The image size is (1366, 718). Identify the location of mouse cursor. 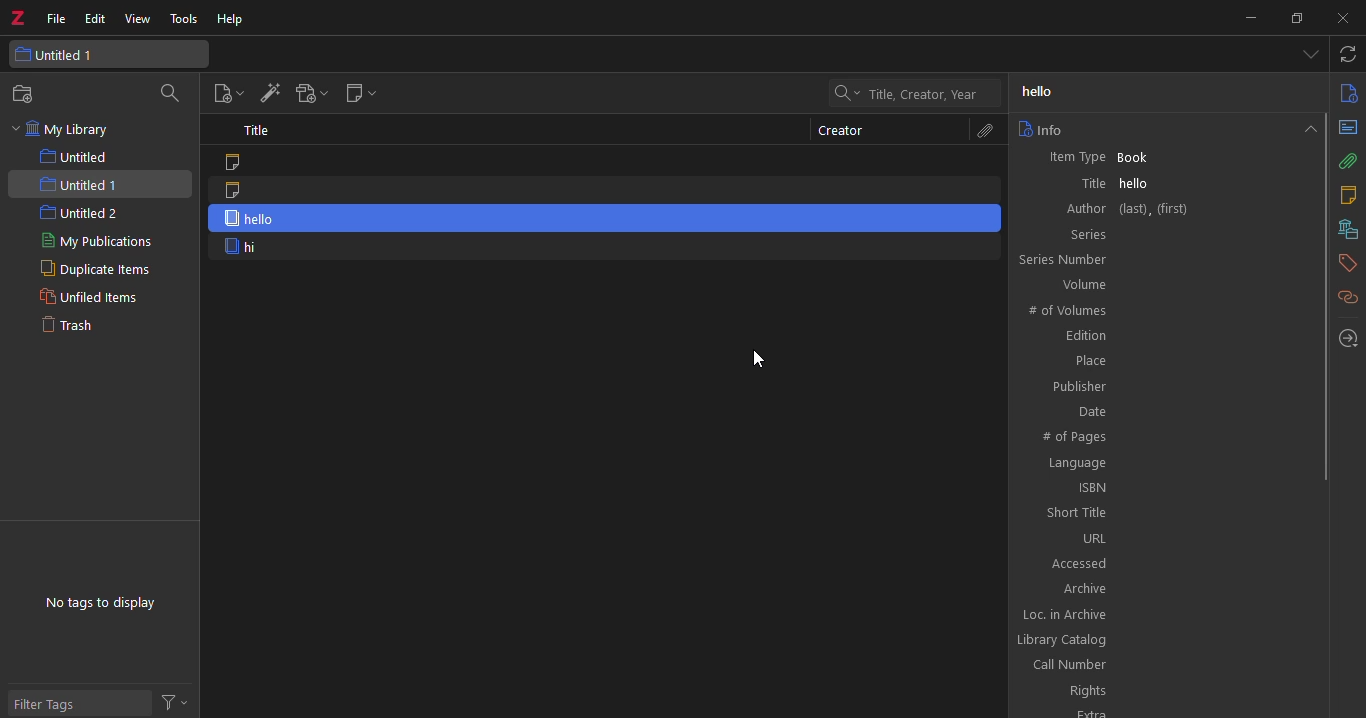
(766, 359).